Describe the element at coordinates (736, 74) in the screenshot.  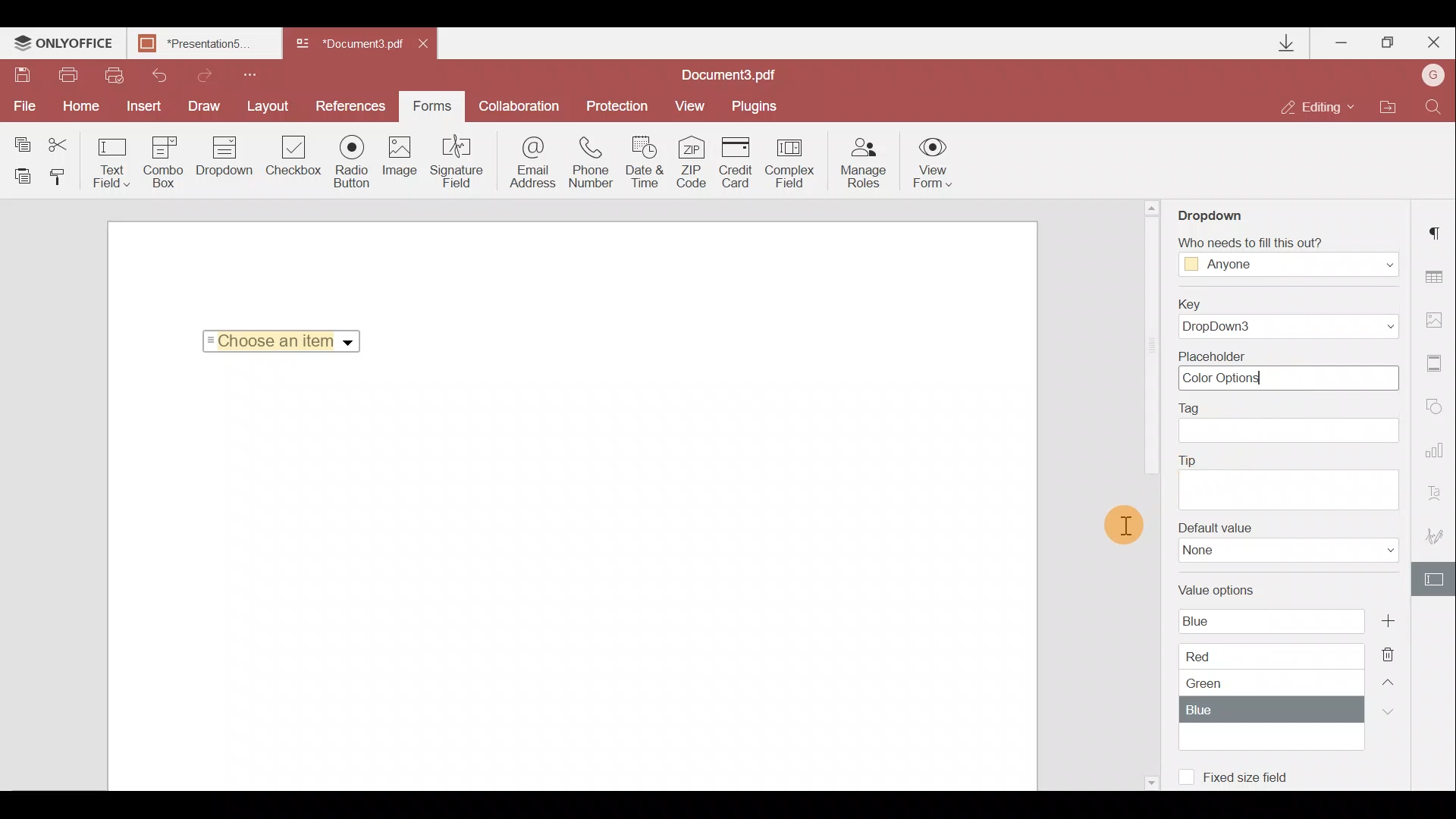
I see `Document name` at that location.